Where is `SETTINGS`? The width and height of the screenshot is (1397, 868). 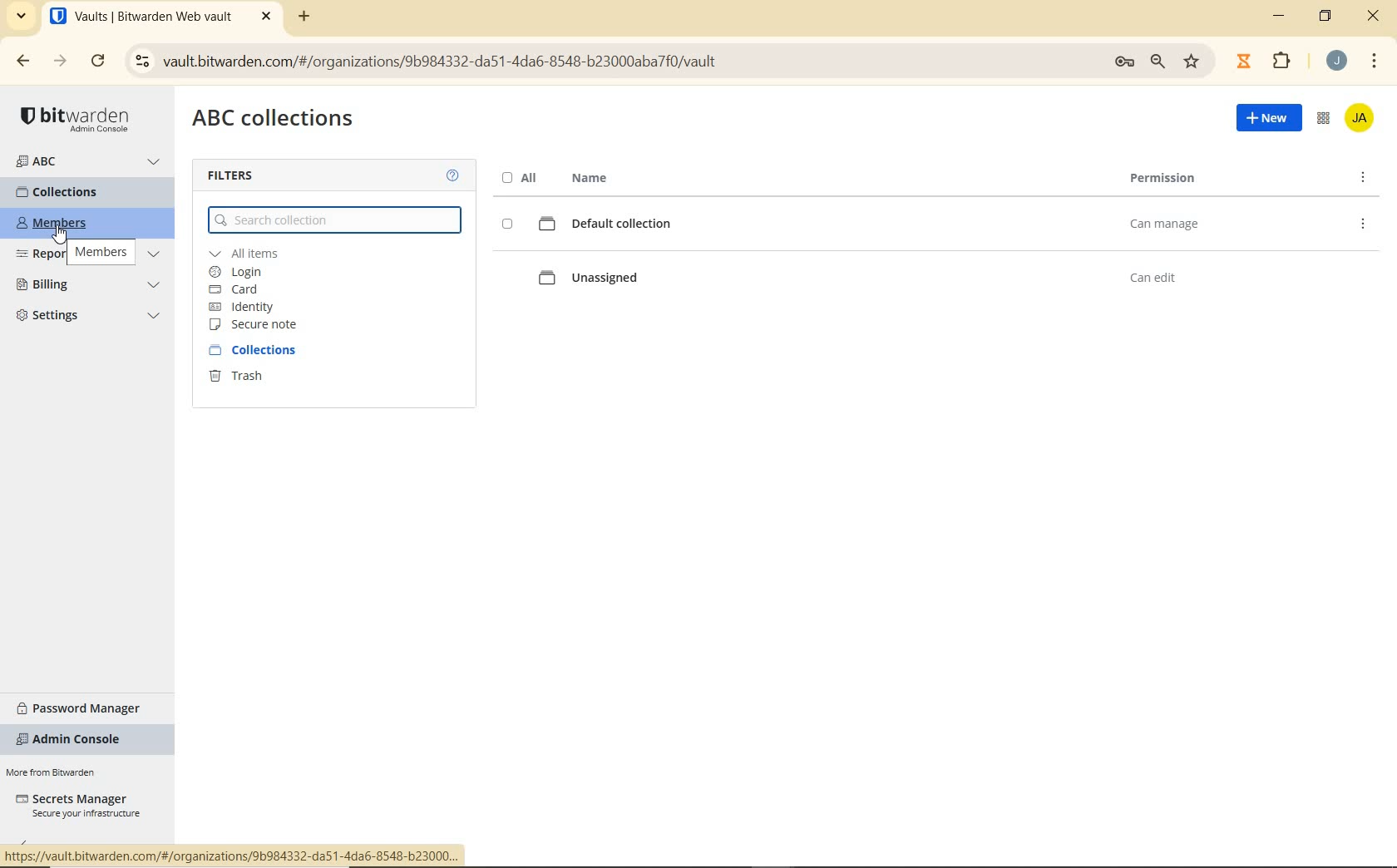
SETTINGS is located at coordinates (89, 318).